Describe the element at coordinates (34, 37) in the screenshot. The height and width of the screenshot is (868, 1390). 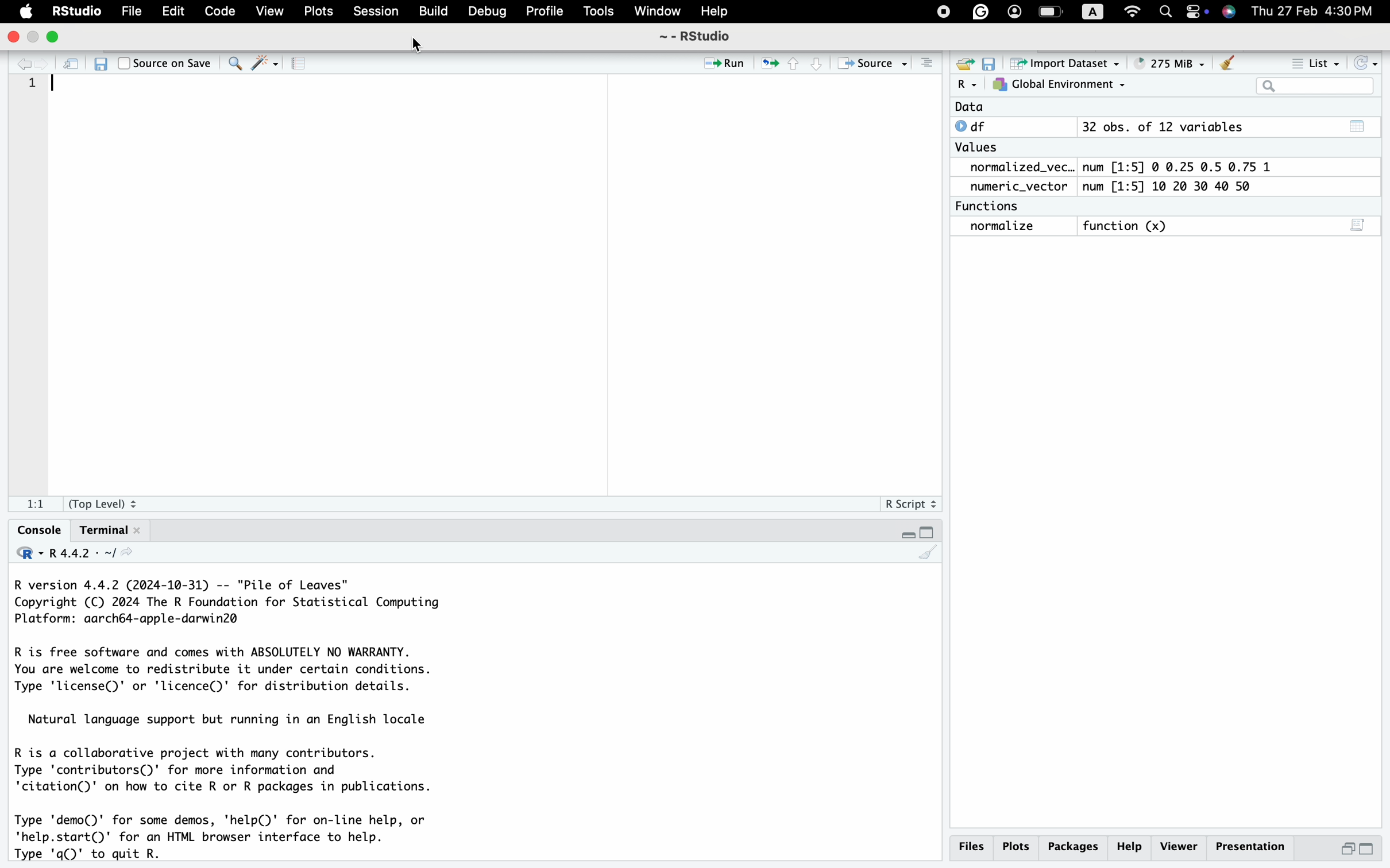
I see `minimize` at that location.